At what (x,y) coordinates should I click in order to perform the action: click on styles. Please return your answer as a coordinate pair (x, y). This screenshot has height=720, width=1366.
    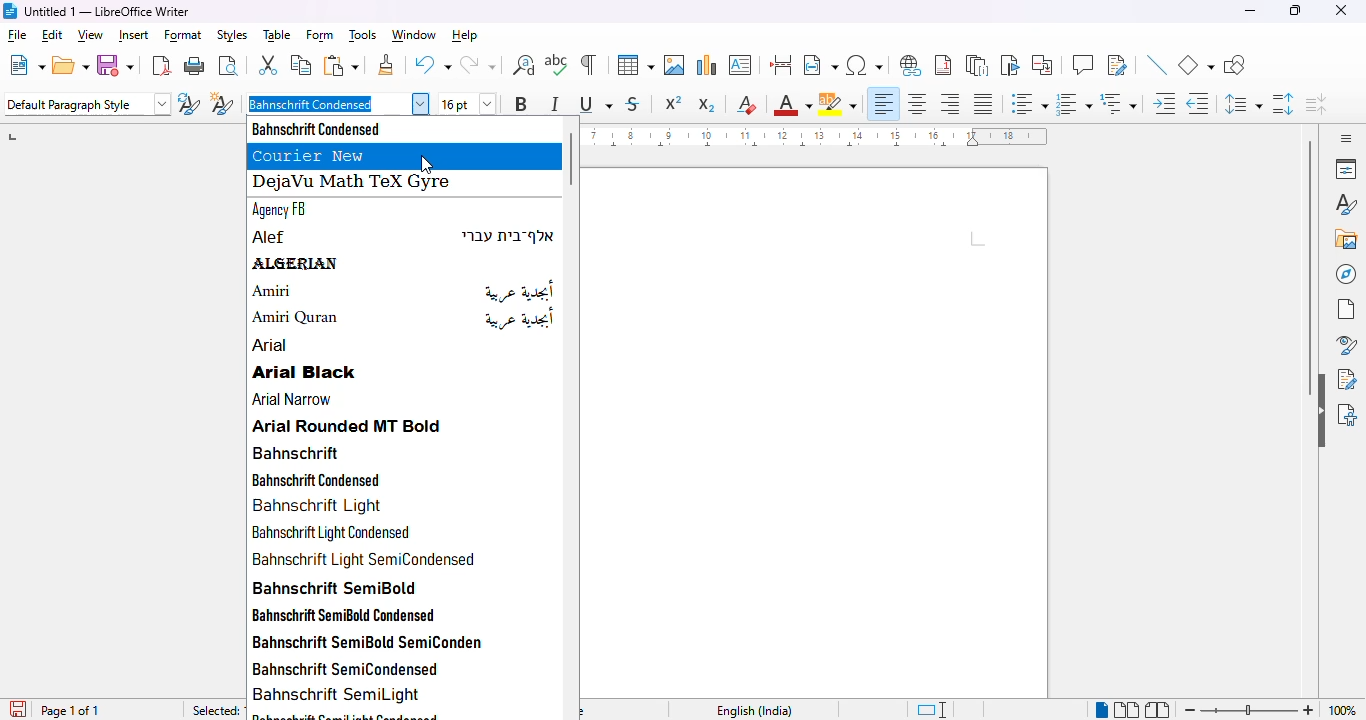
    Looking at the image, I should click on (231, 35).